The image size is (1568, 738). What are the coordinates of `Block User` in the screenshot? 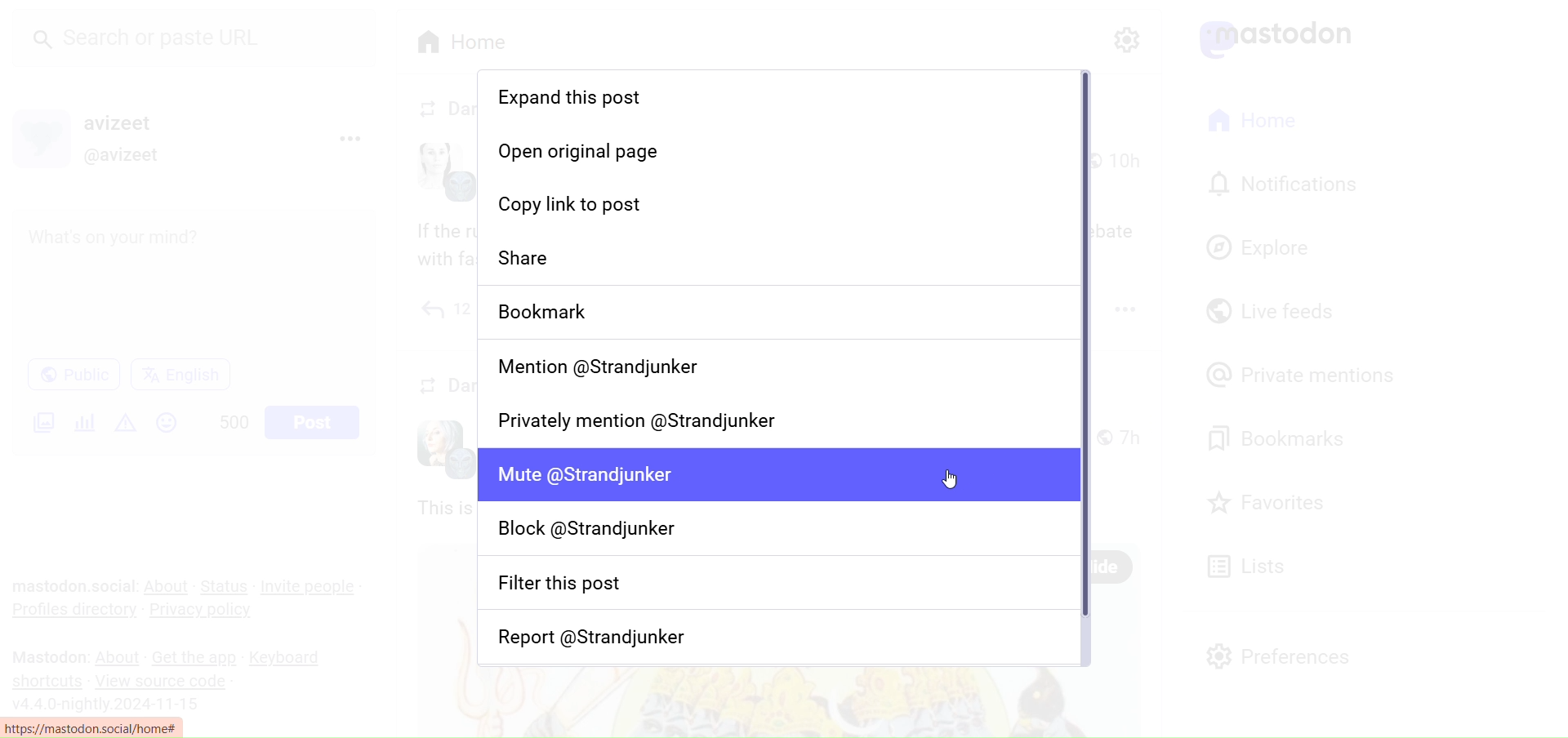 It's located at (773, 529).